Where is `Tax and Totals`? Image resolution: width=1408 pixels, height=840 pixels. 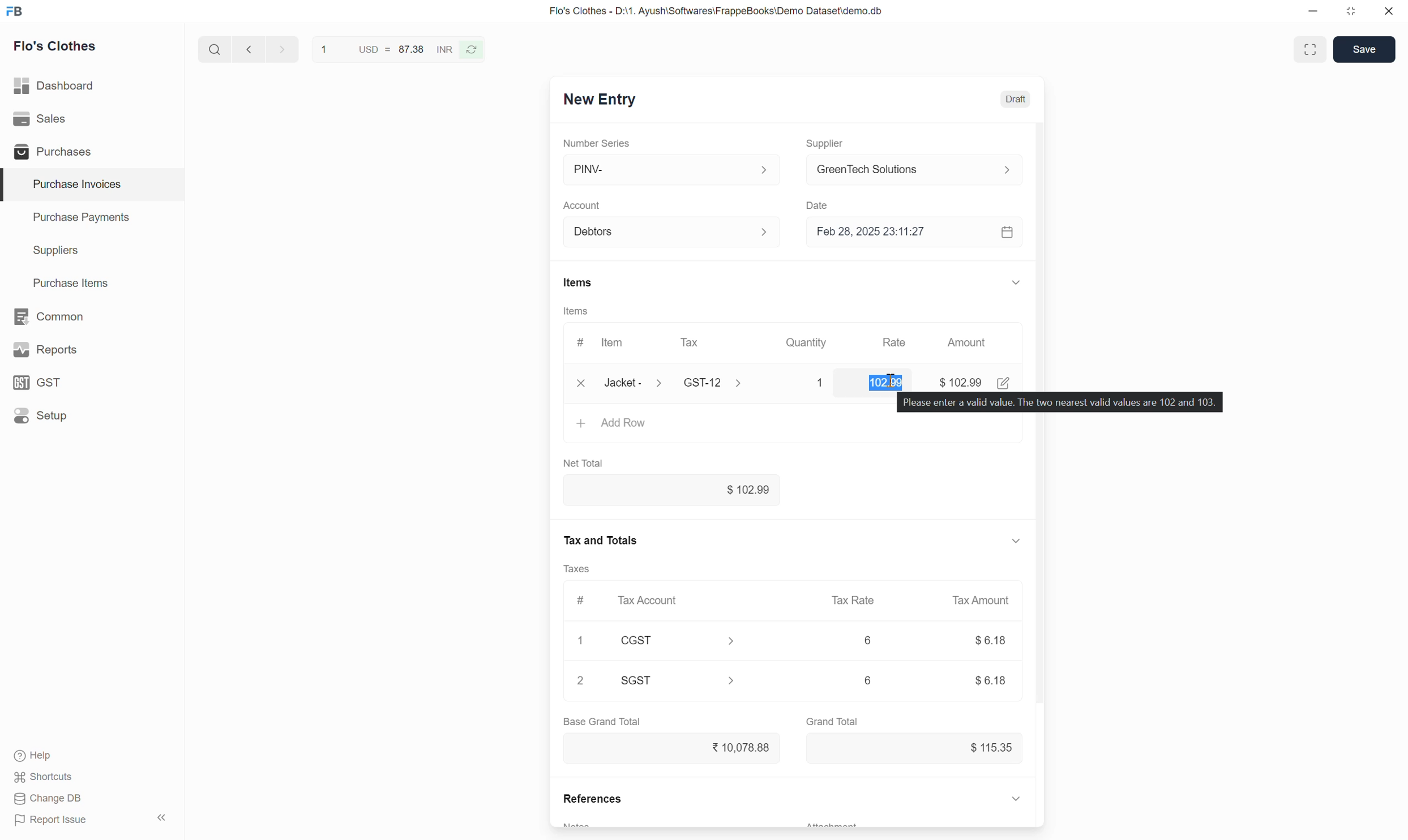
Tax and Totals is located at coordinates (599, 541).